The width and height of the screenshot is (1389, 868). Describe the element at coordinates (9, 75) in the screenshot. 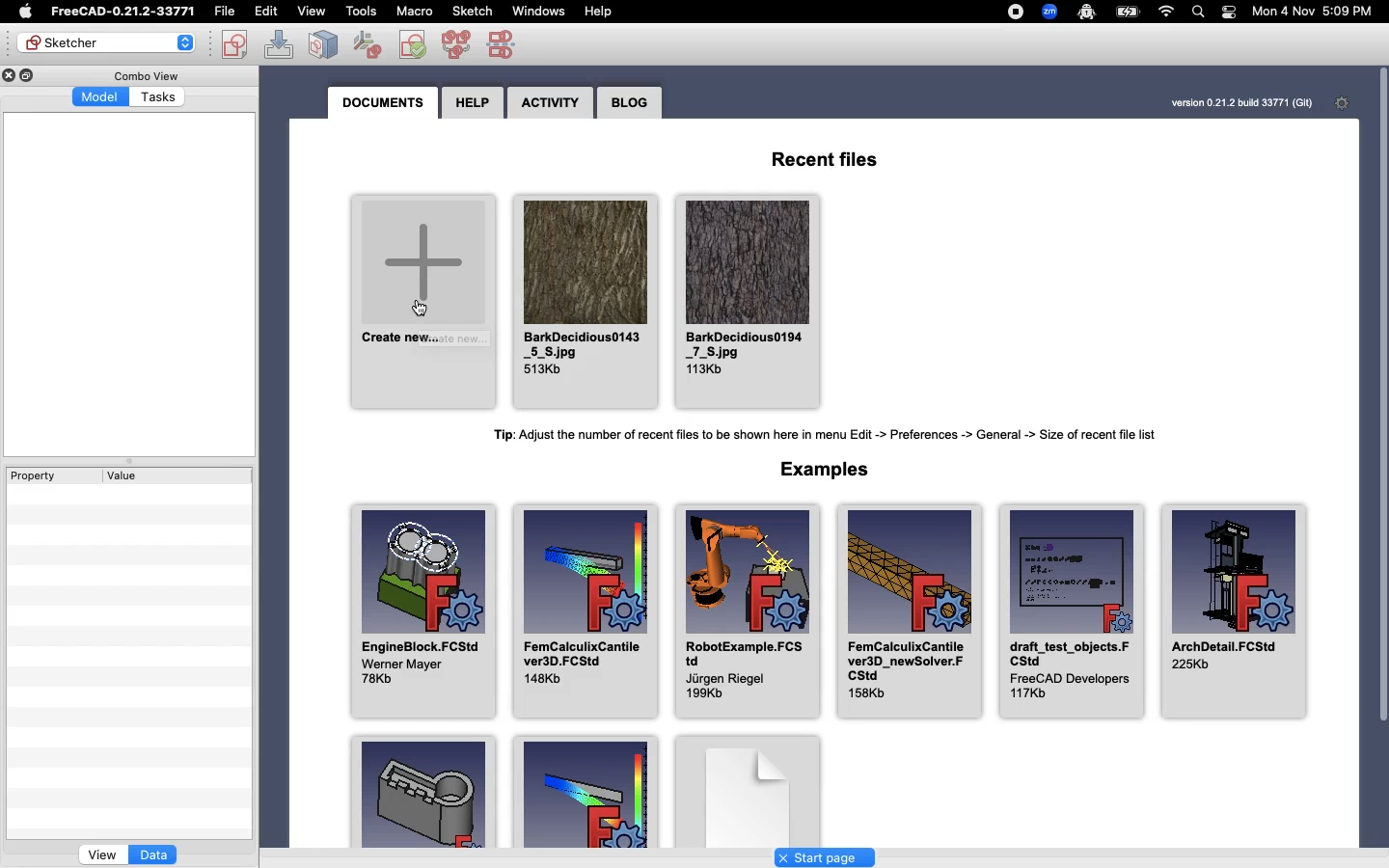

I see `Close` at that location.